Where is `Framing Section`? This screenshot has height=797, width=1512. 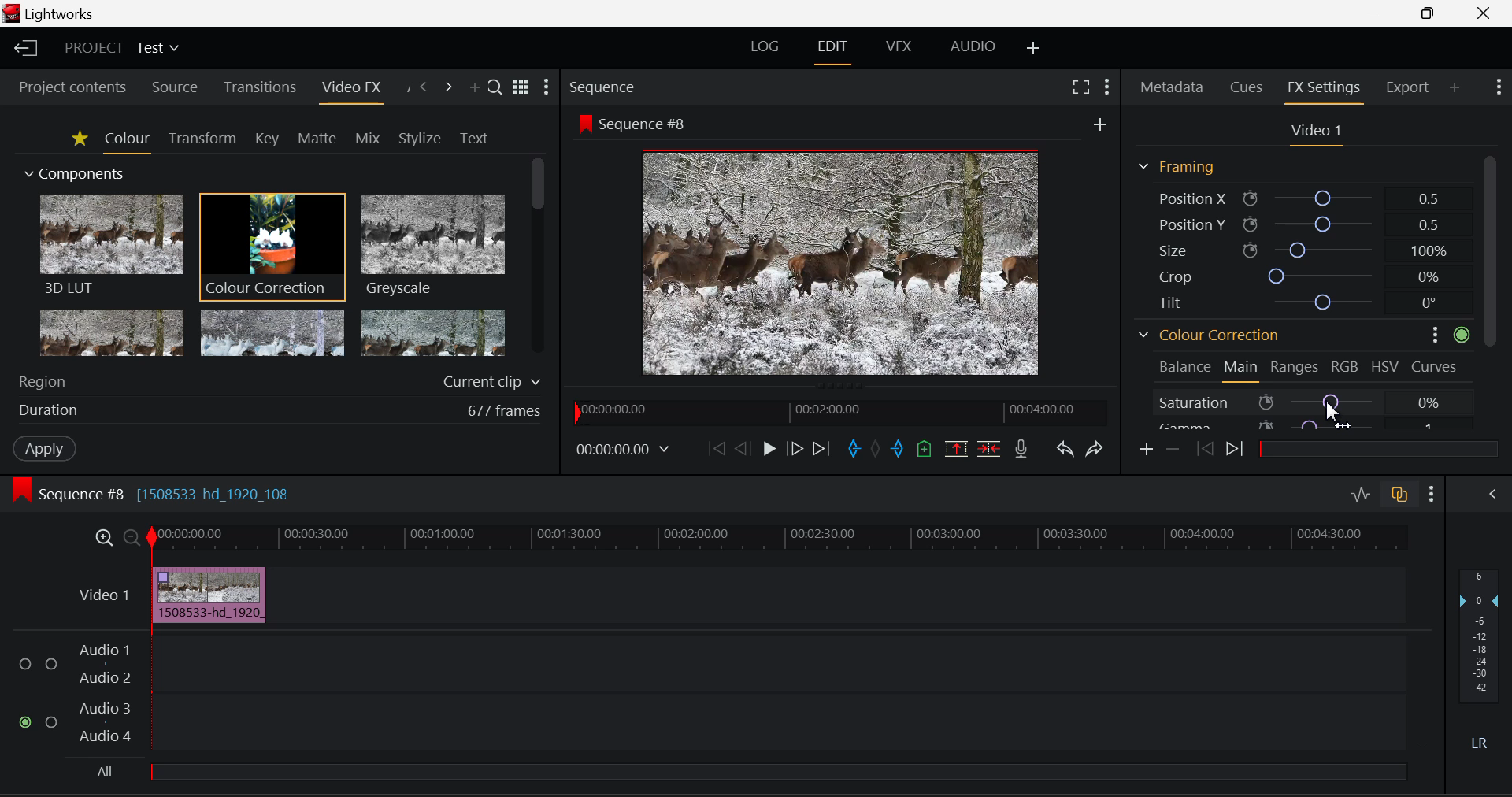 Framing Section is located at coordinates (1177, 168).